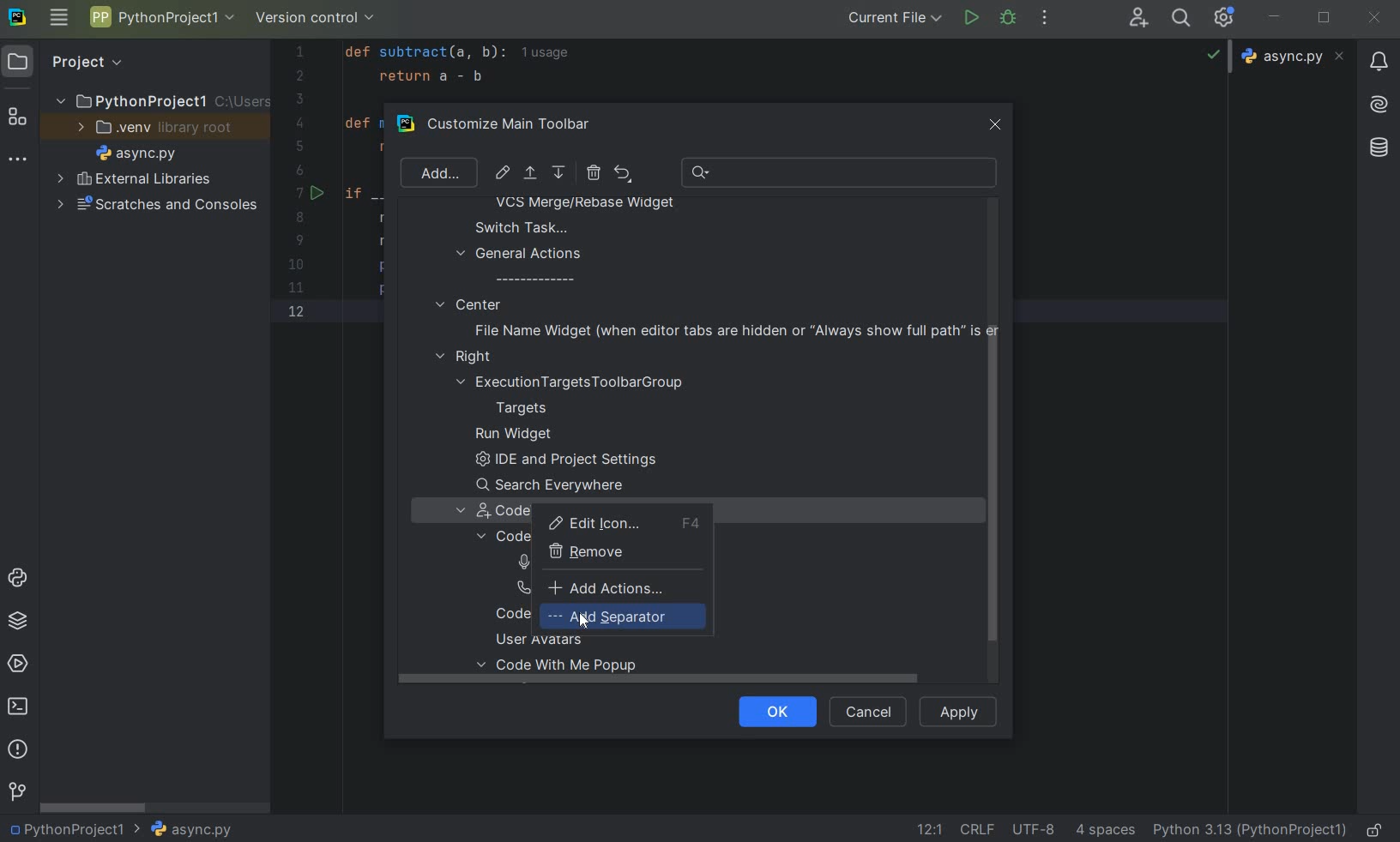 Image resolution: width=1400 pixels, height=842 pixels. Describe the element at coordinates (623, 173) in the screenshot. I see `RESTORE ACTIONS` at that location.